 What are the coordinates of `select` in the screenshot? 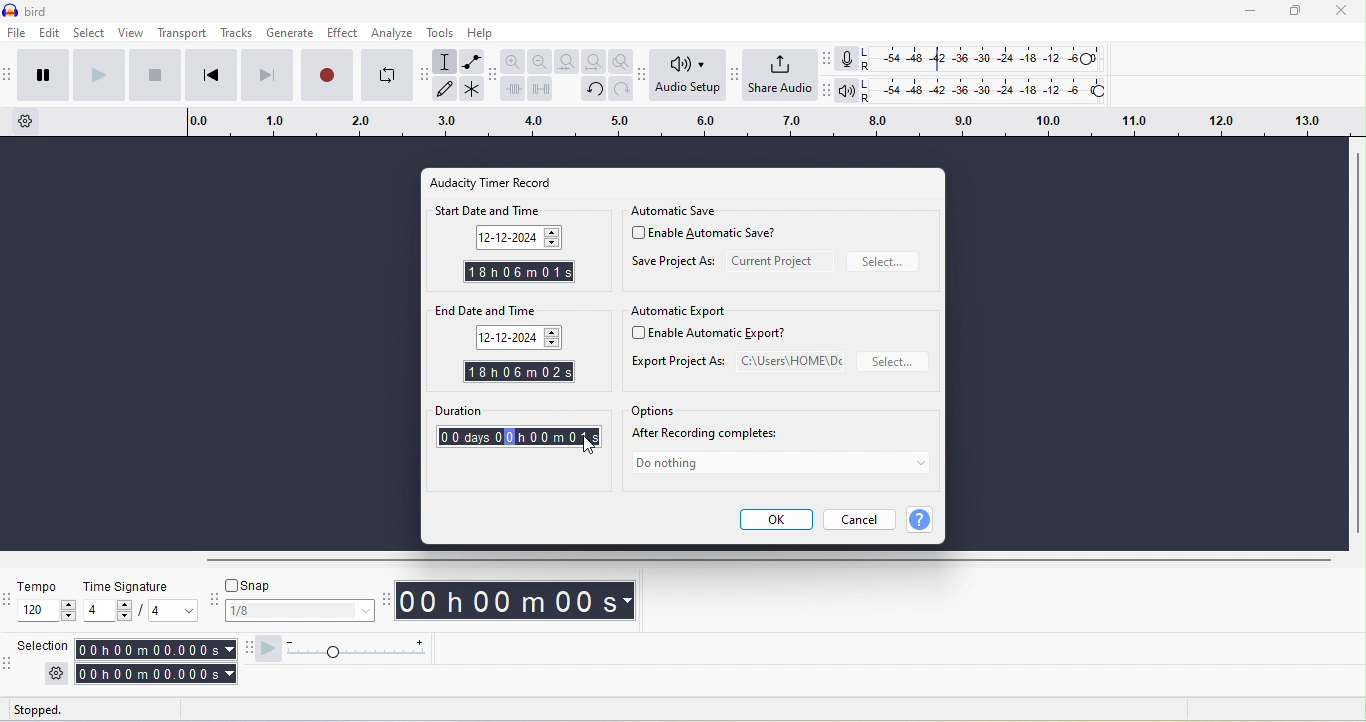 It's located at (91, 34).